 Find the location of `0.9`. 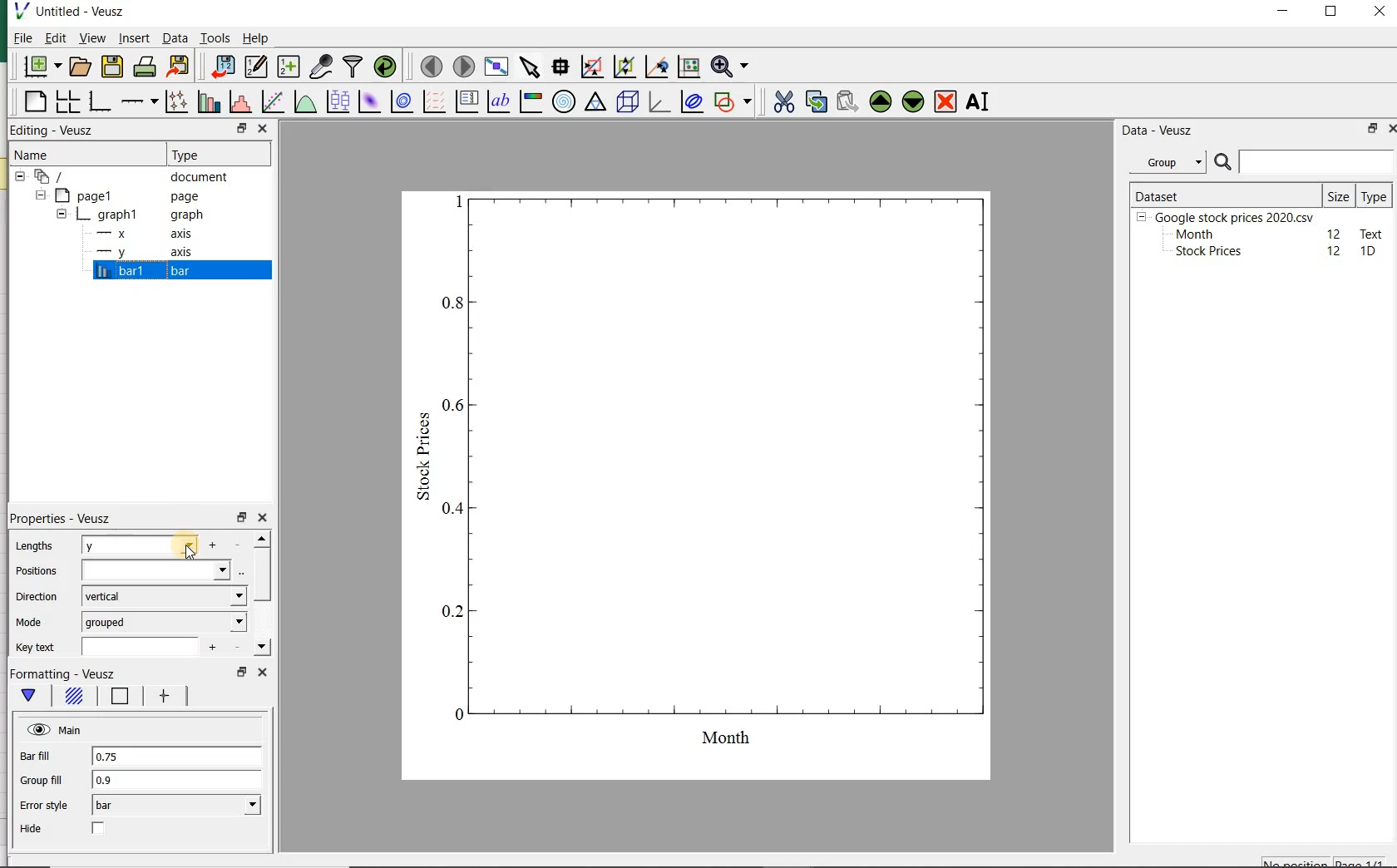

0.9 is located at coordinates (178, 782).